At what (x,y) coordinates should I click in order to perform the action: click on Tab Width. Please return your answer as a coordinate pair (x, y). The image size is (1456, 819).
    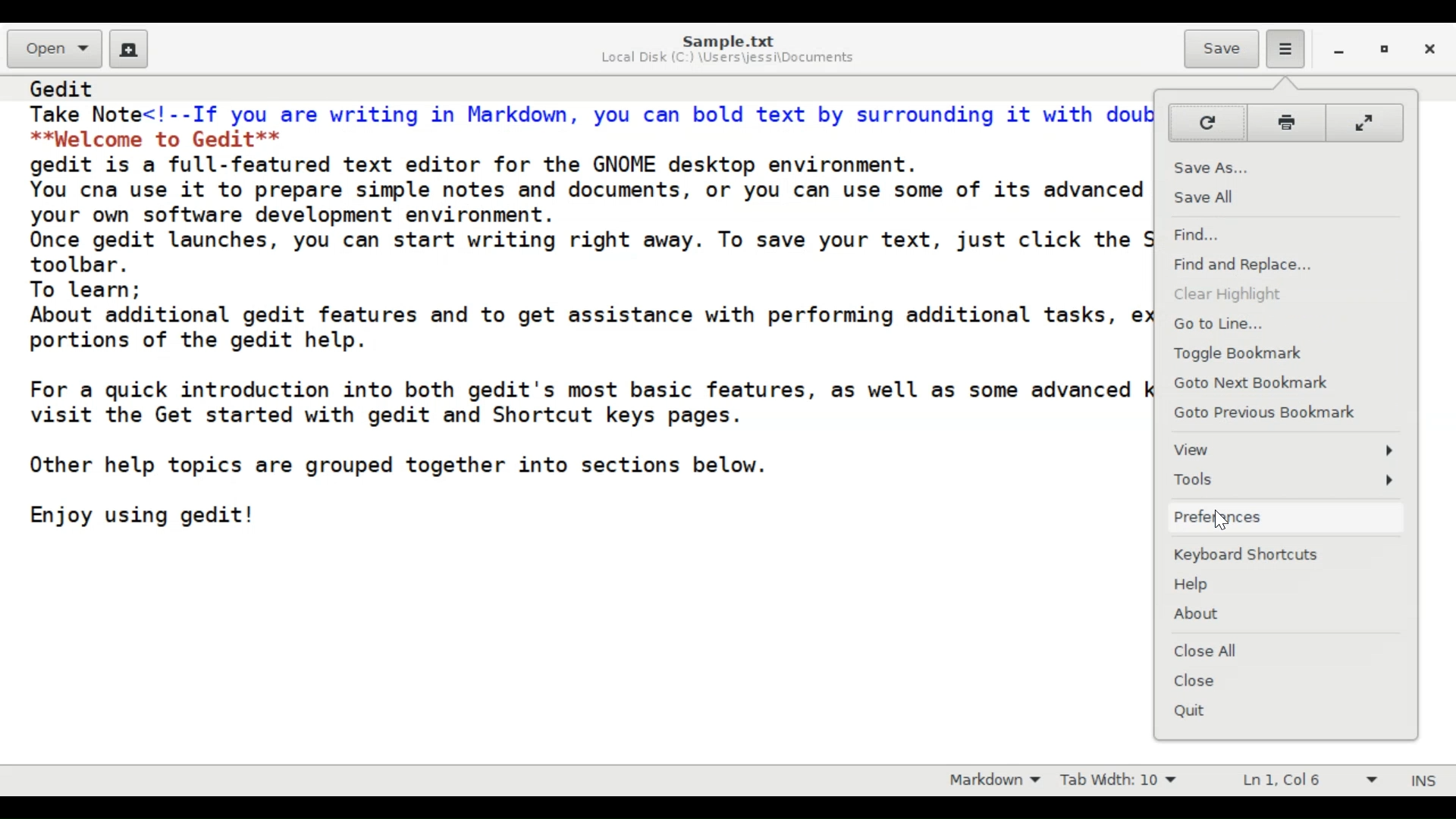
    Looking at the image, I should click on (1120, 781).